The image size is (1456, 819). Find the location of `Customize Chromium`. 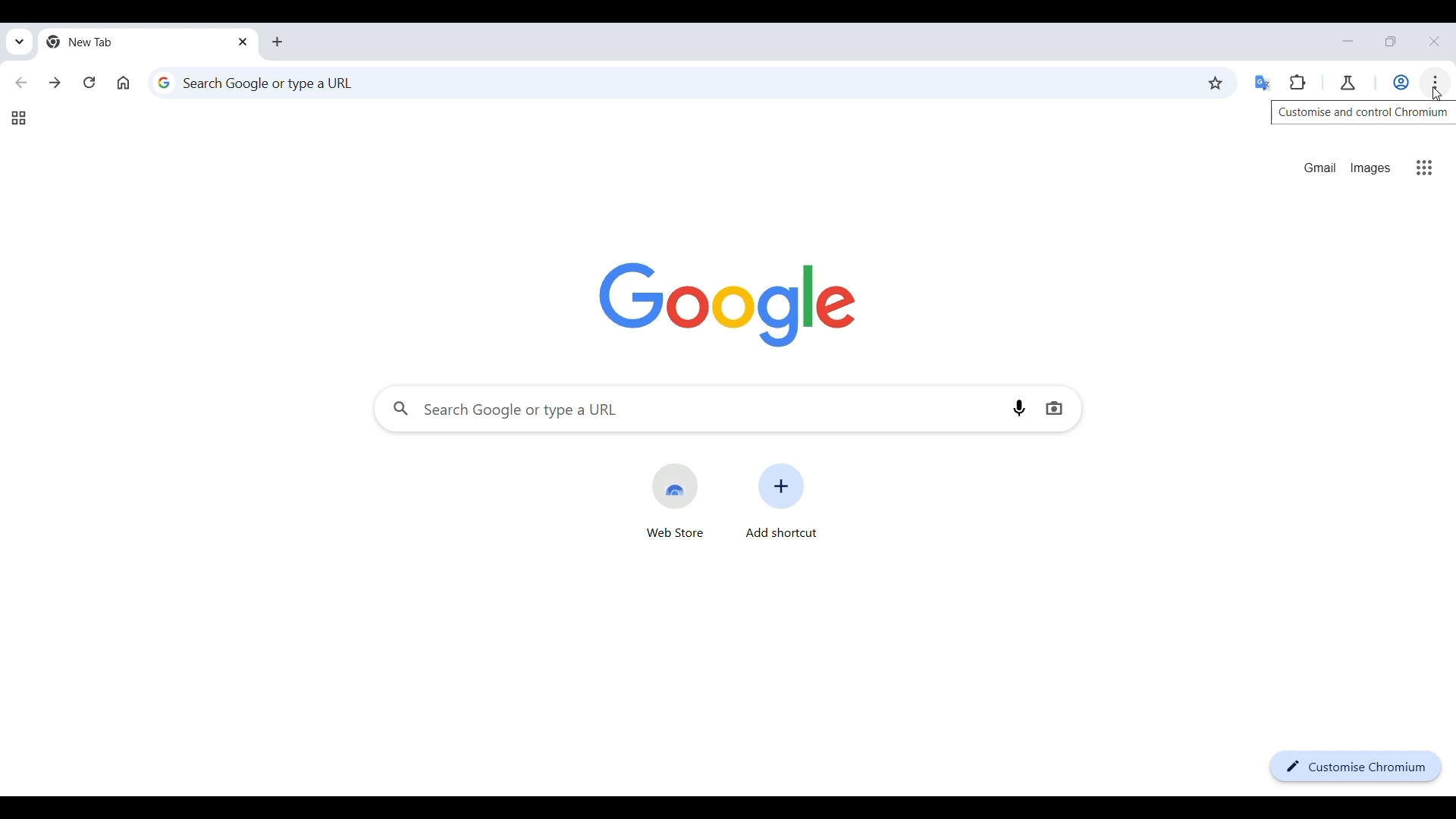

Customize Chromium is located at coordinates (1356, 767).